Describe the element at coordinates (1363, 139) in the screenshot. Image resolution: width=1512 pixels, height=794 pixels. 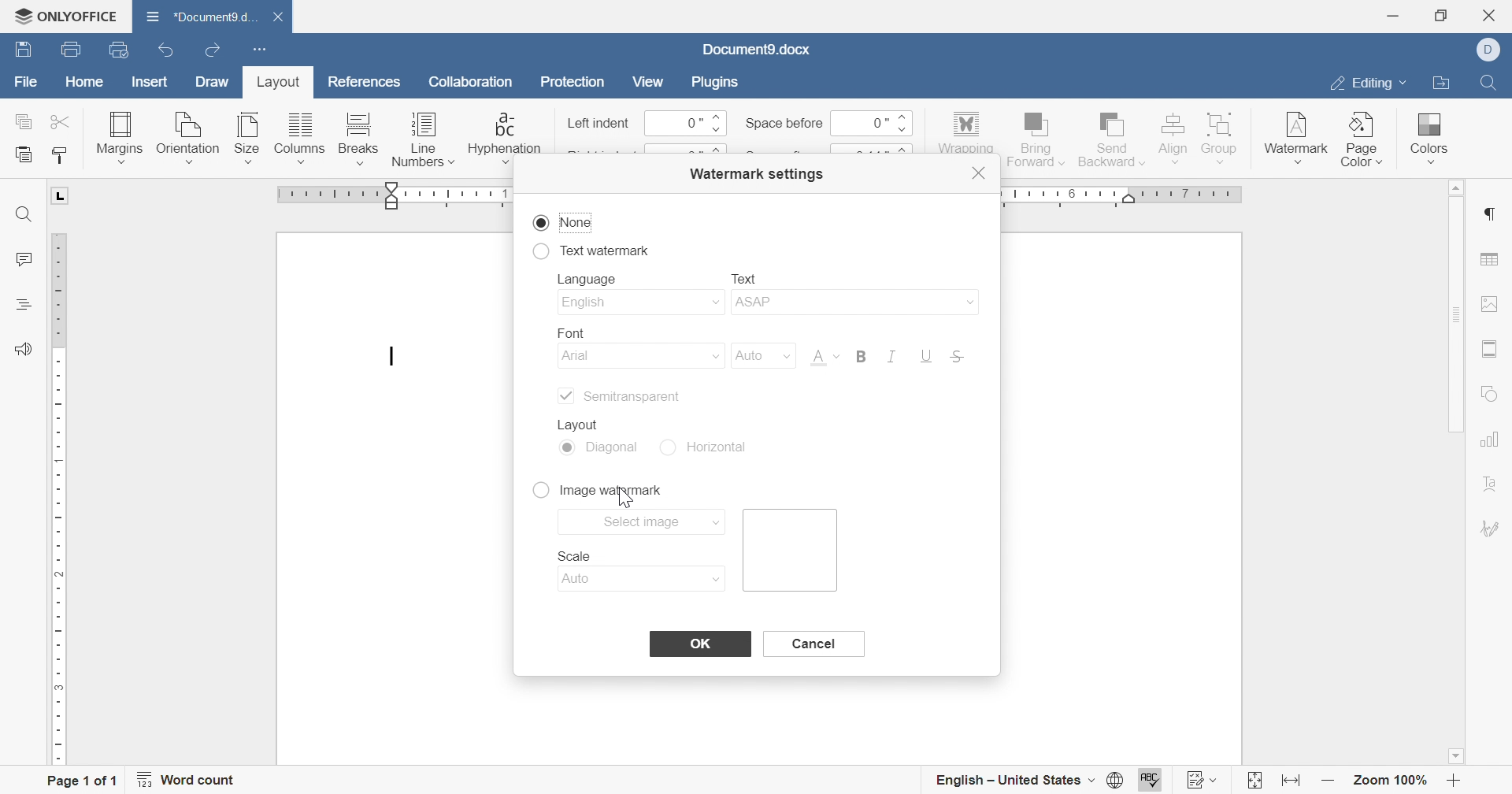
I see `page color` at that location.